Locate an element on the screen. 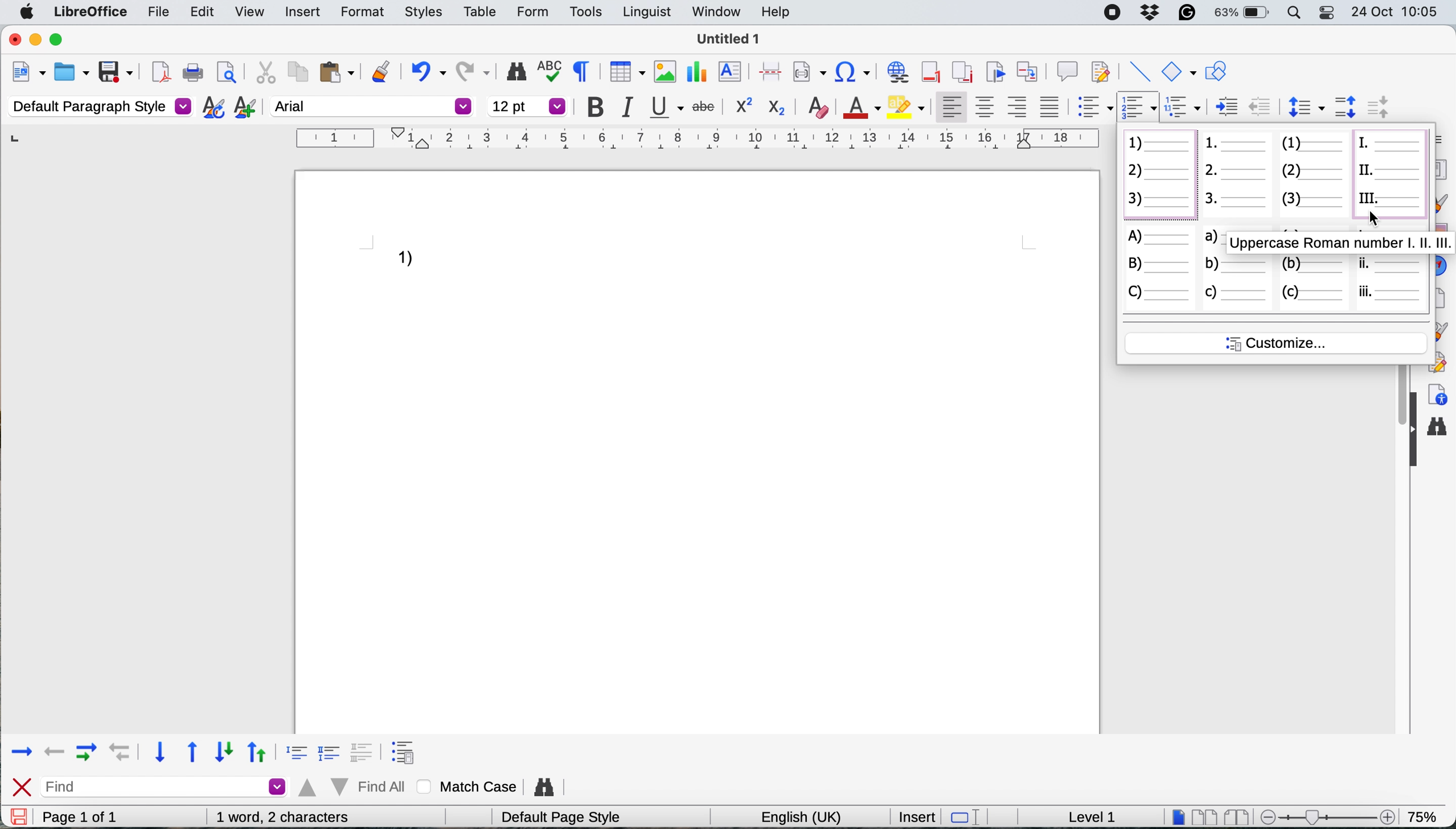 This screenshot has height=829, width=1456. italic is located at coordinates (633, 108).